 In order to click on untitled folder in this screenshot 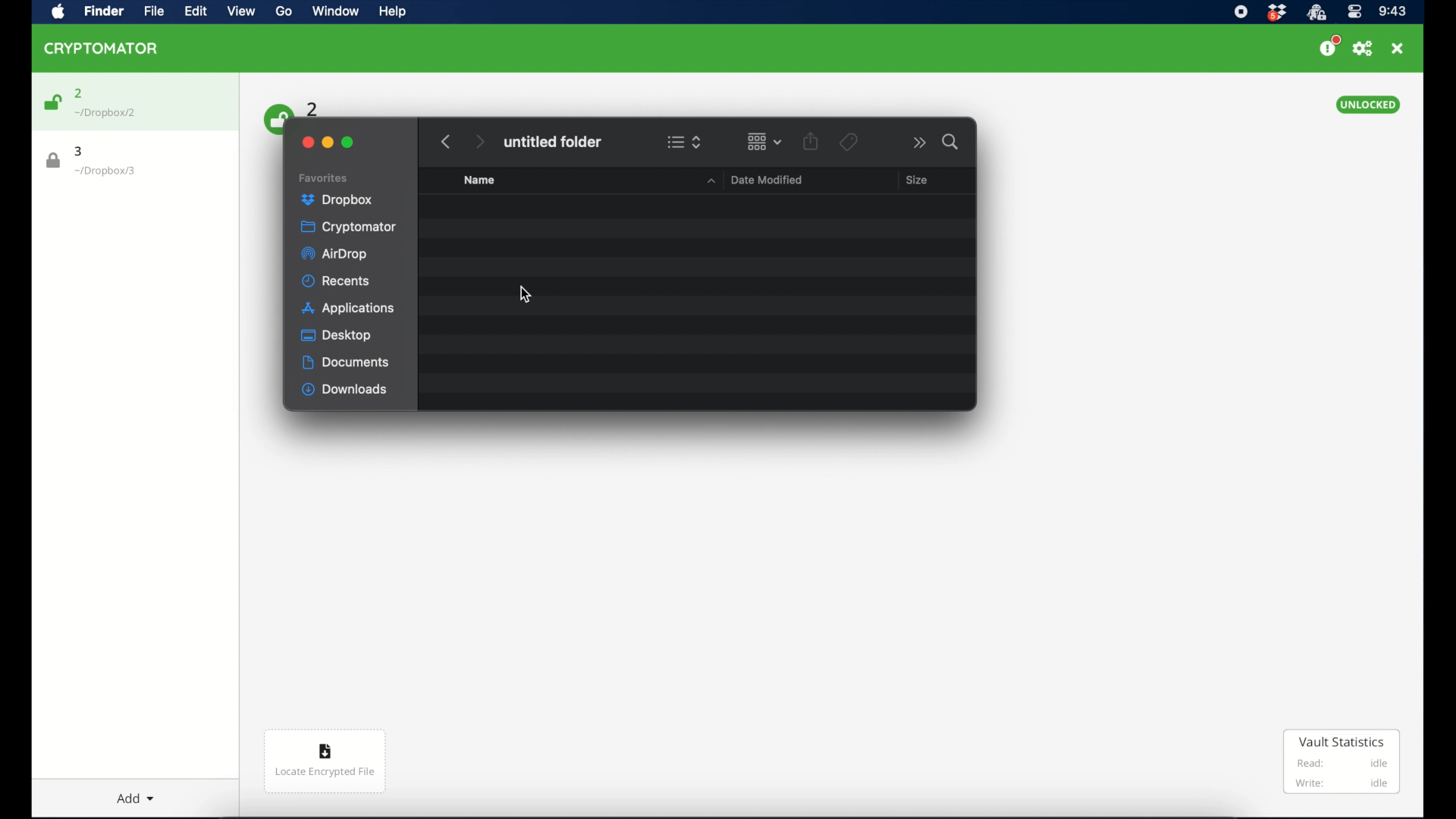, I will do `click(552, 142)`.